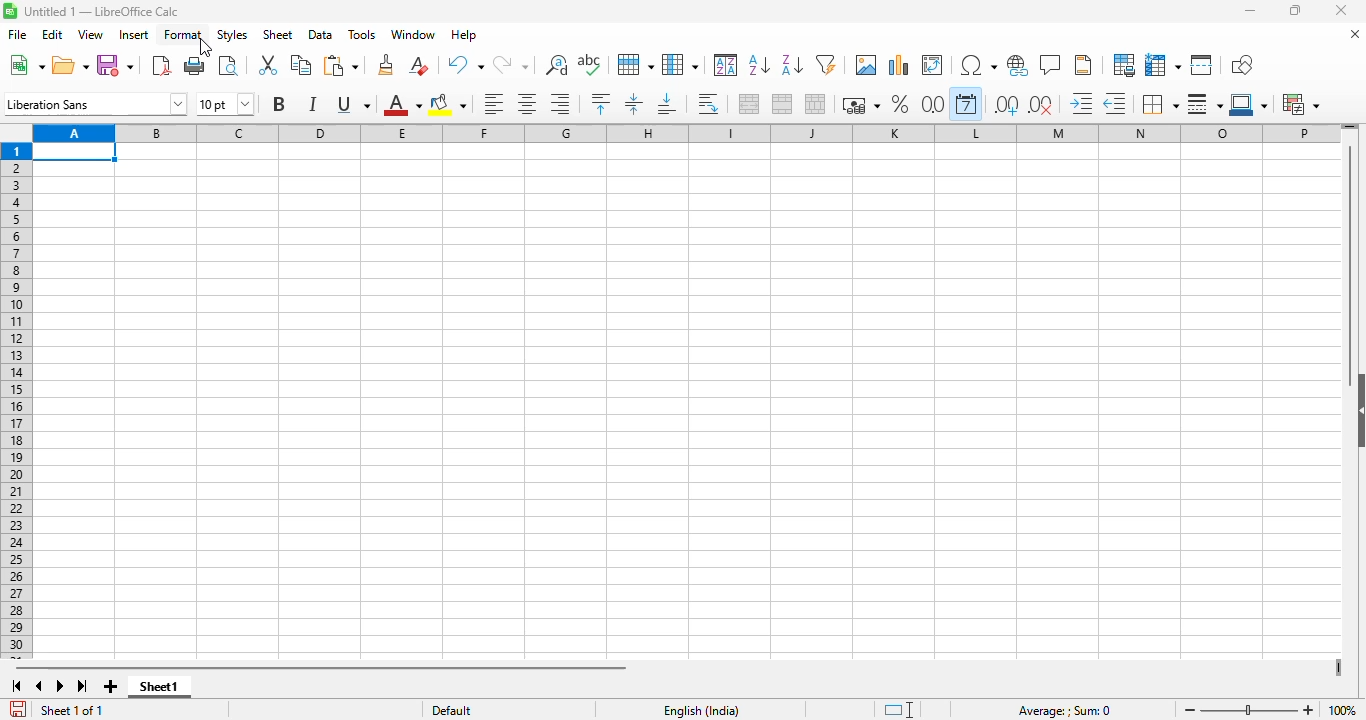  Describe the element at coordinates (1201, 65) in the screenshot. I see `split window` at that location.